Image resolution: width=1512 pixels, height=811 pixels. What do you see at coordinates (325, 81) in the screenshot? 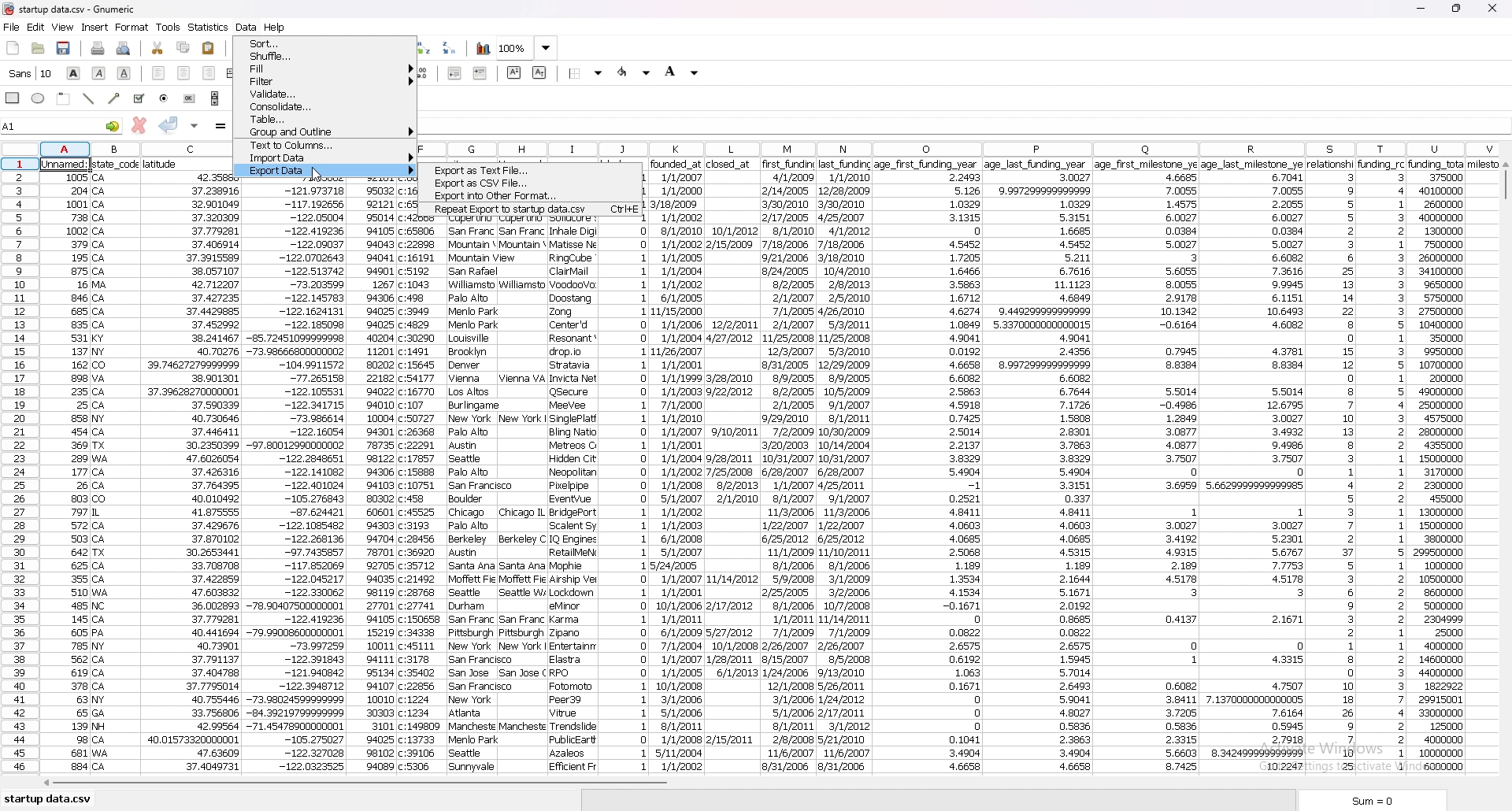
I see `filter` at bounding box center [325, 81].